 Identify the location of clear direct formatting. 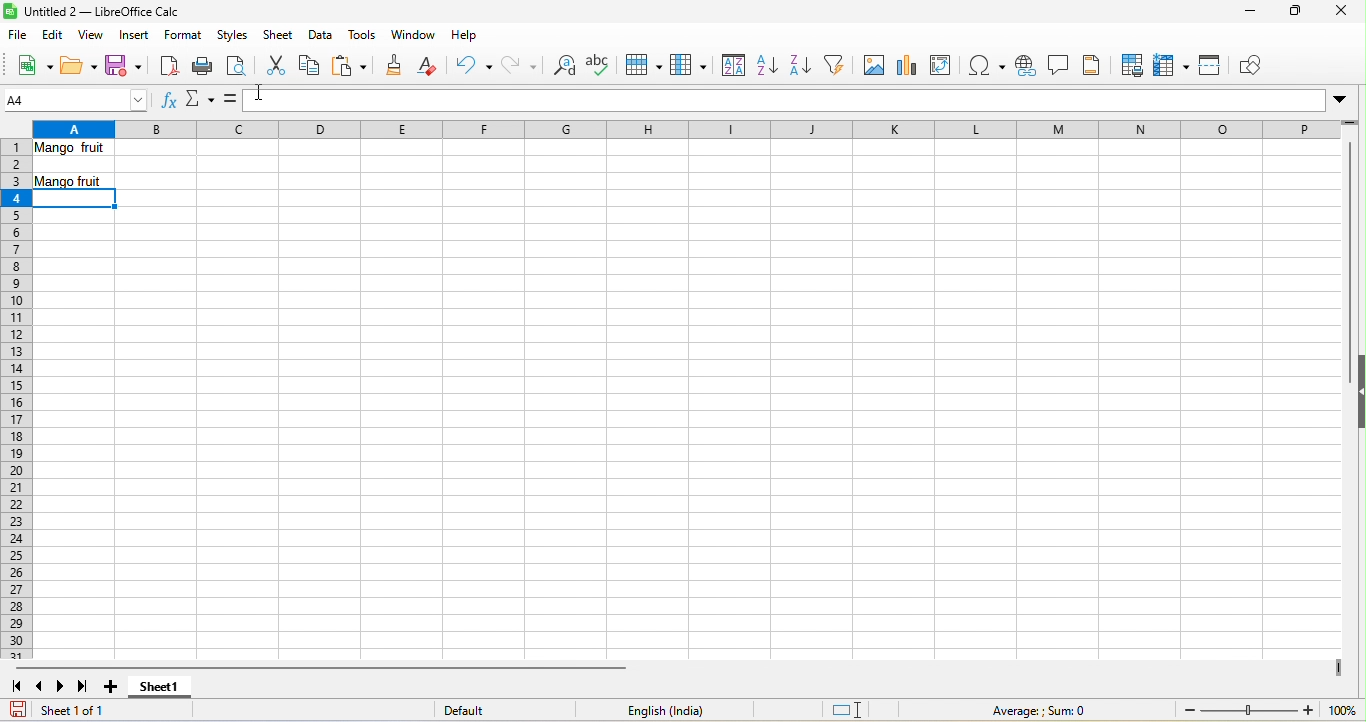
(433, 68).